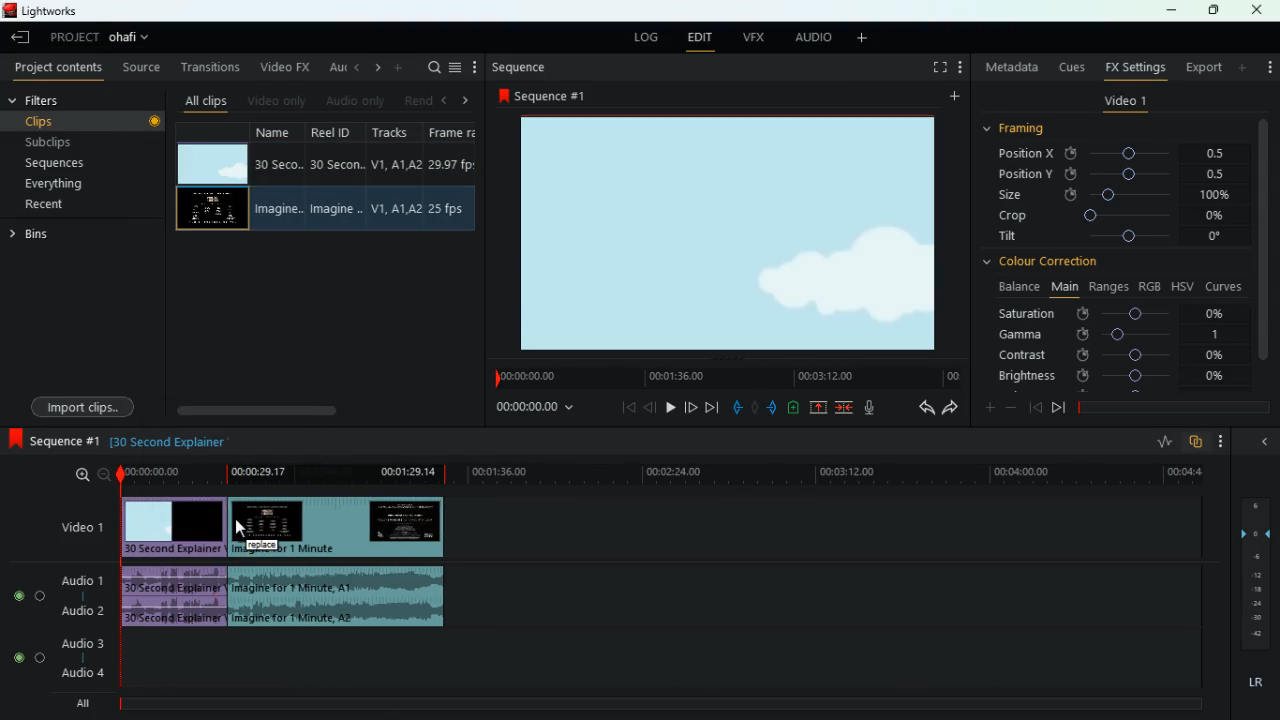 This screenshot has height=720, width=1280. Describe the element at coordinates (813, 38) in the screenshot. I see `audio` at that location.